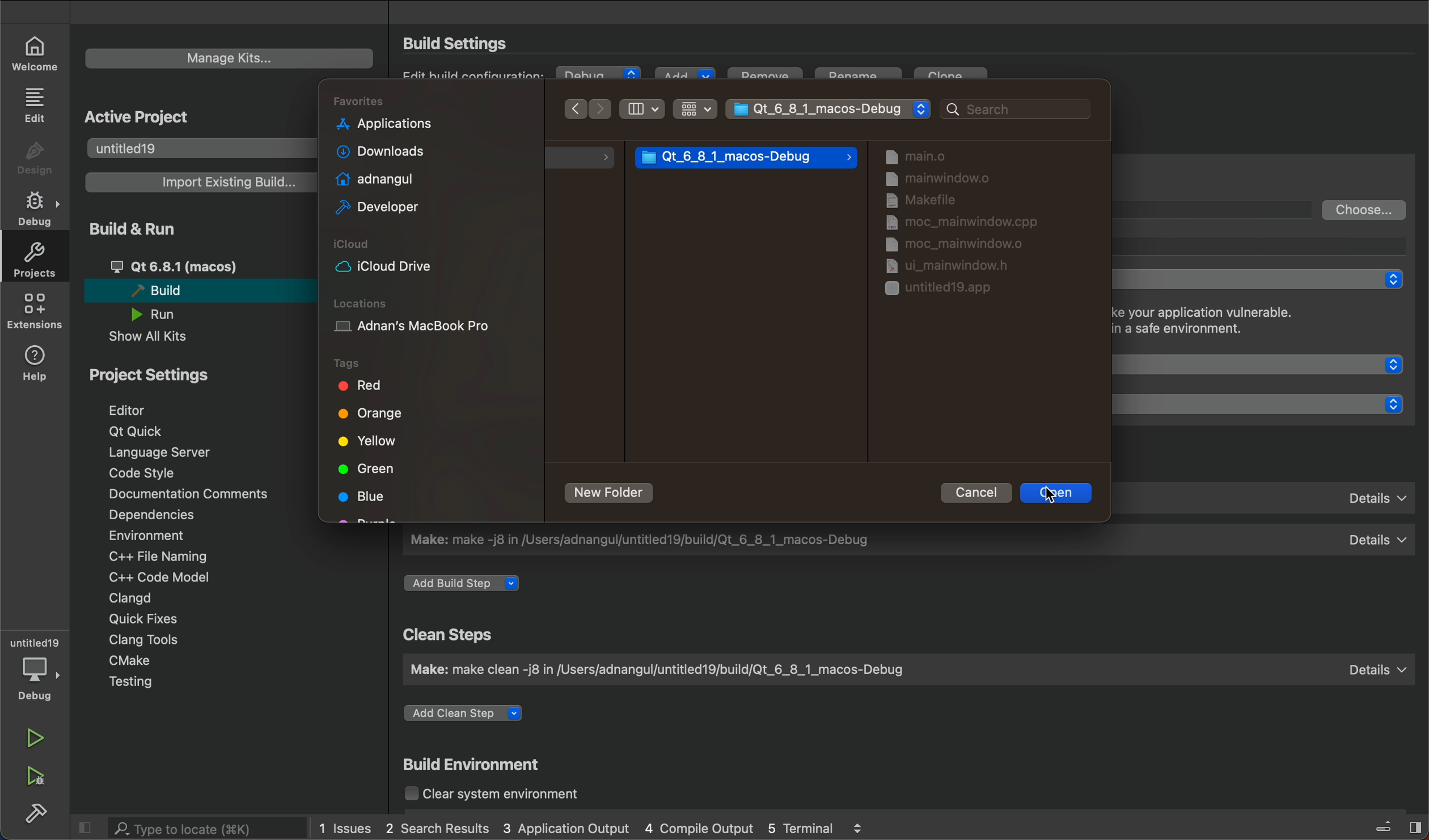  What do you see at coordinates (950, 223) in the screenshot?
I see `moc.mainwindow.cpp` at bounding box center [950, 223].